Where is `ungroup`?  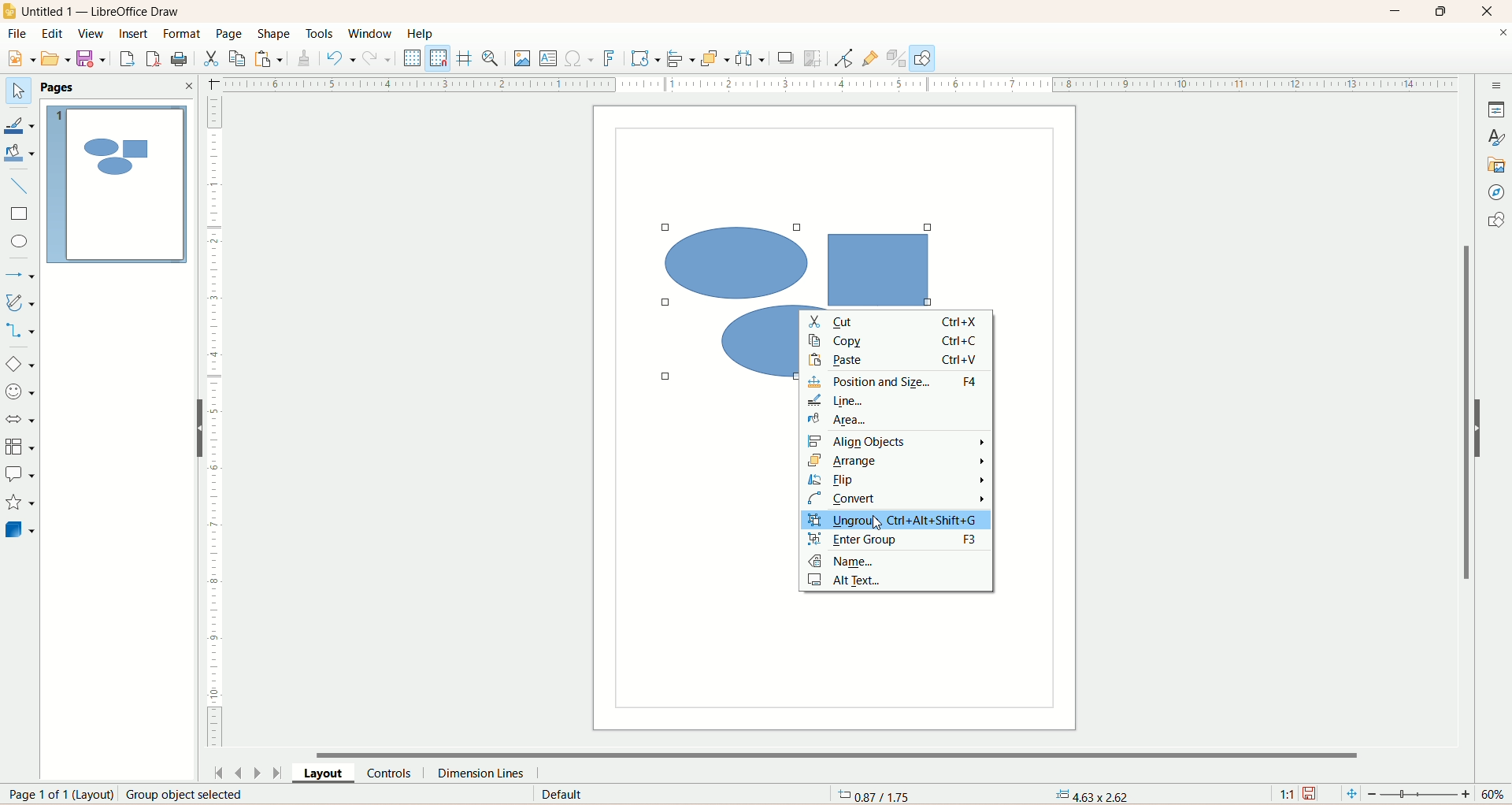 ungroup is located at coordinates (895, 520).